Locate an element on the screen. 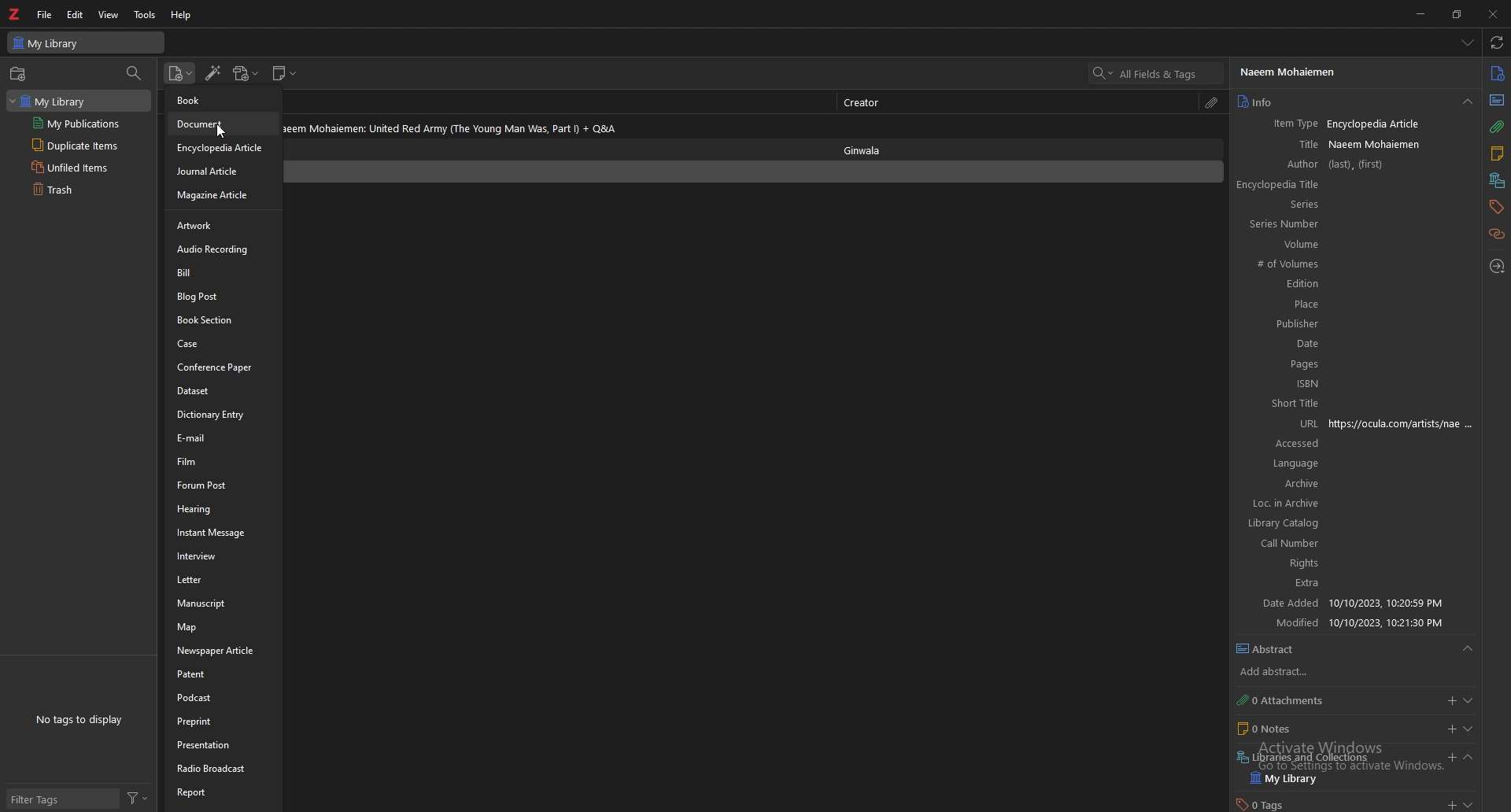 This screenshot has width=1511, height=812. modified input is located at coordinates (1402, 623).